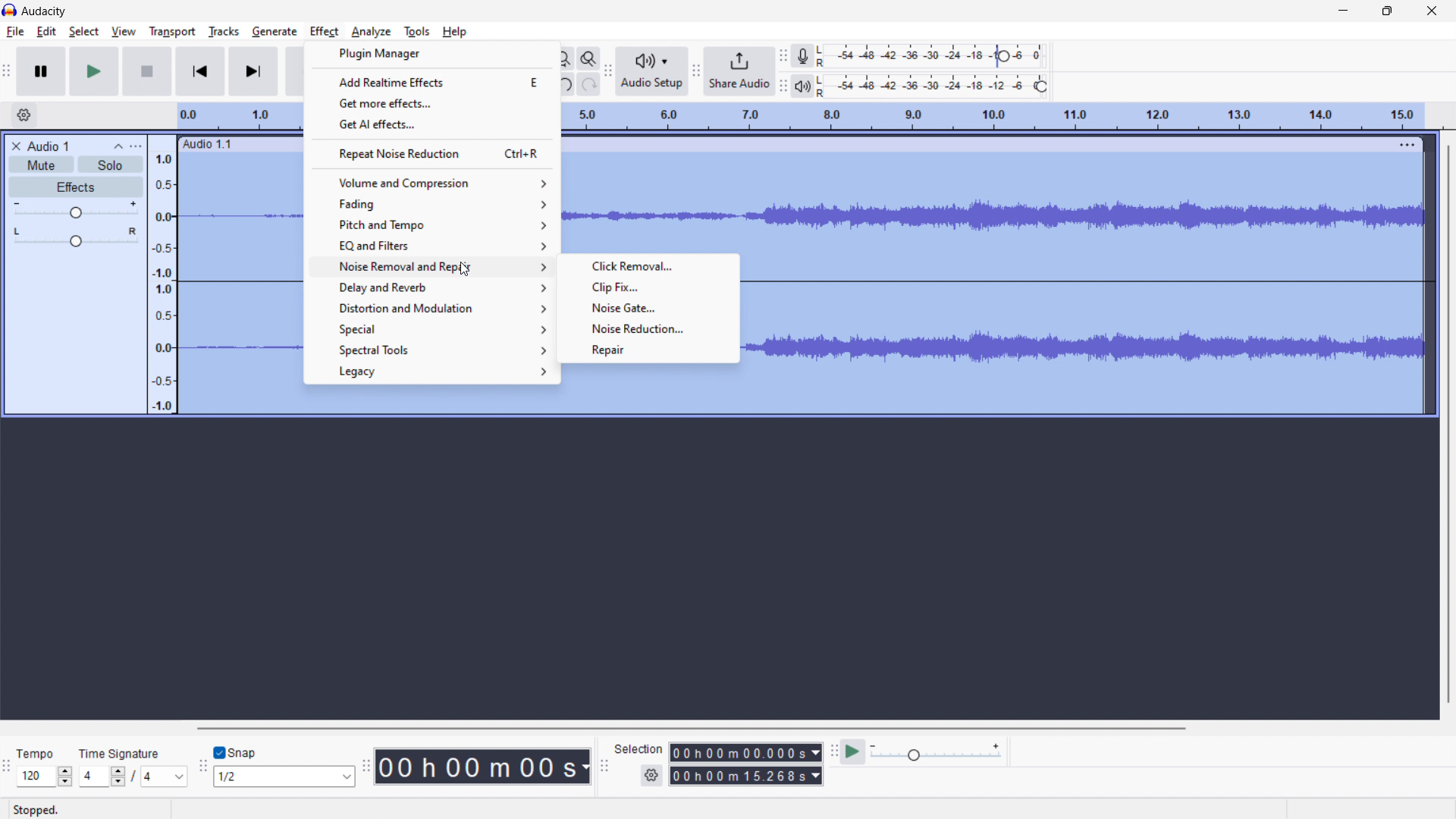  I want to click on Stopped , so click(39, 810).